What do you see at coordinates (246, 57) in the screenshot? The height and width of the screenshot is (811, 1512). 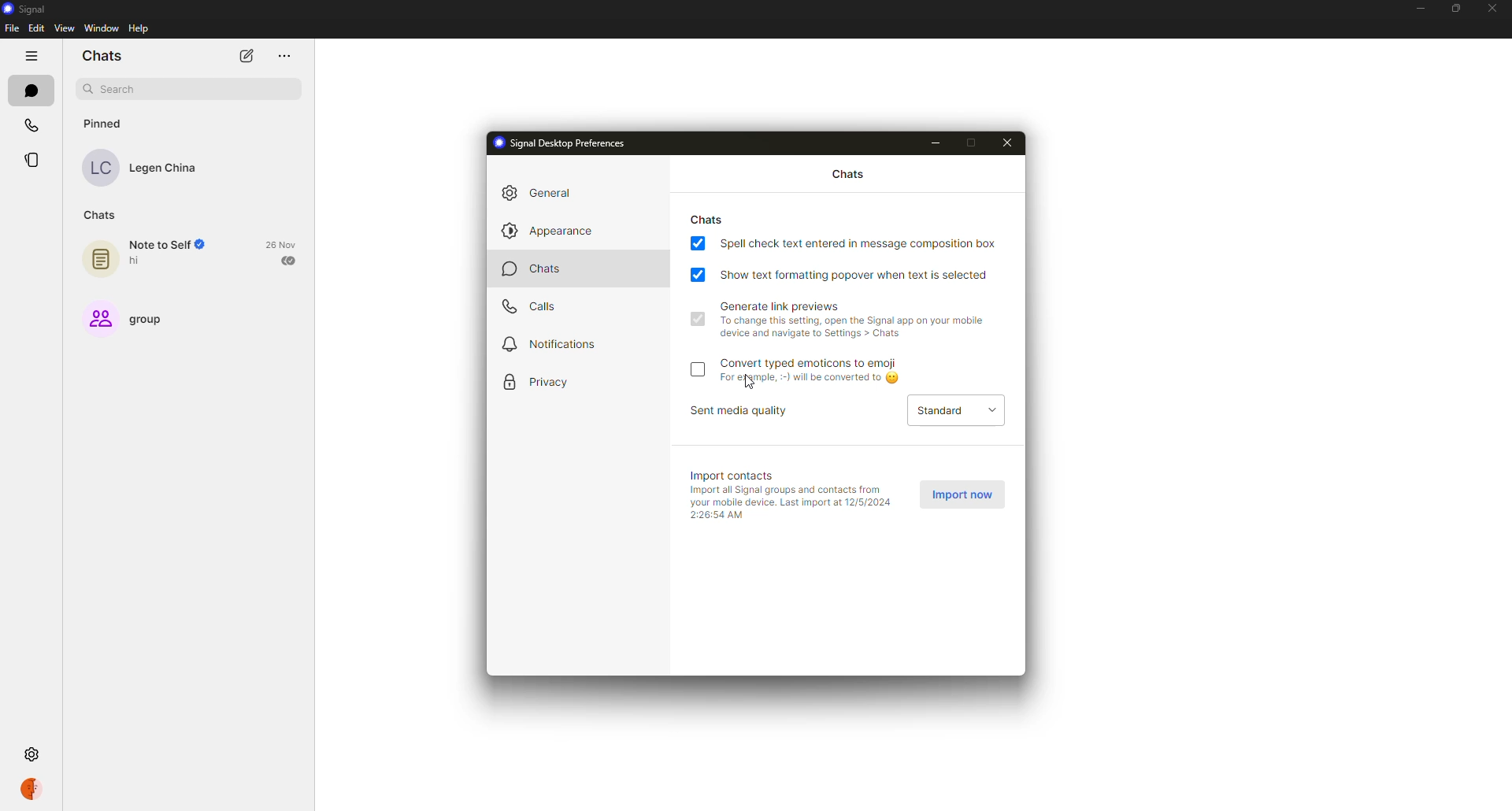 I see `new chat` at bounding box center [246, 57].